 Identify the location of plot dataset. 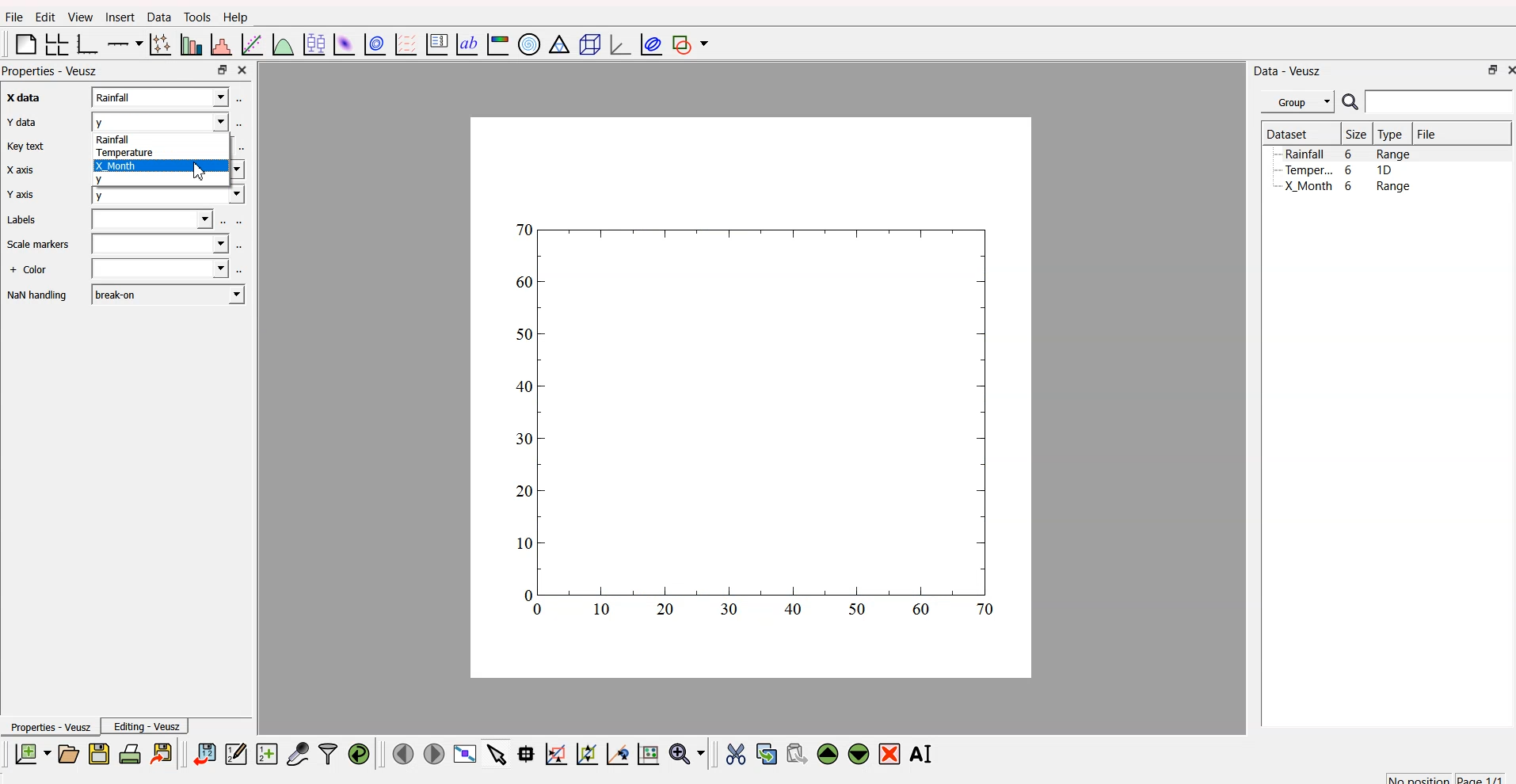
(342, 44).